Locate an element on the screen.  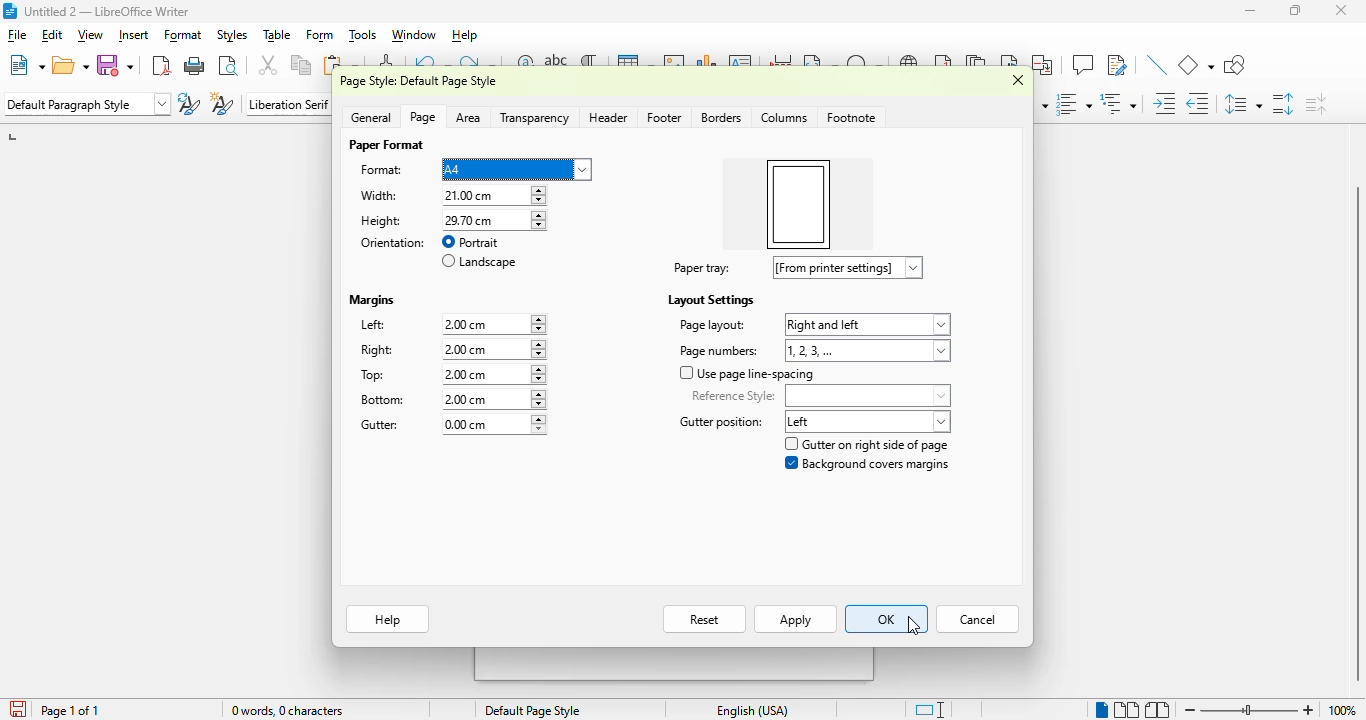
multi-page view is located at coordinates (1126, 710).